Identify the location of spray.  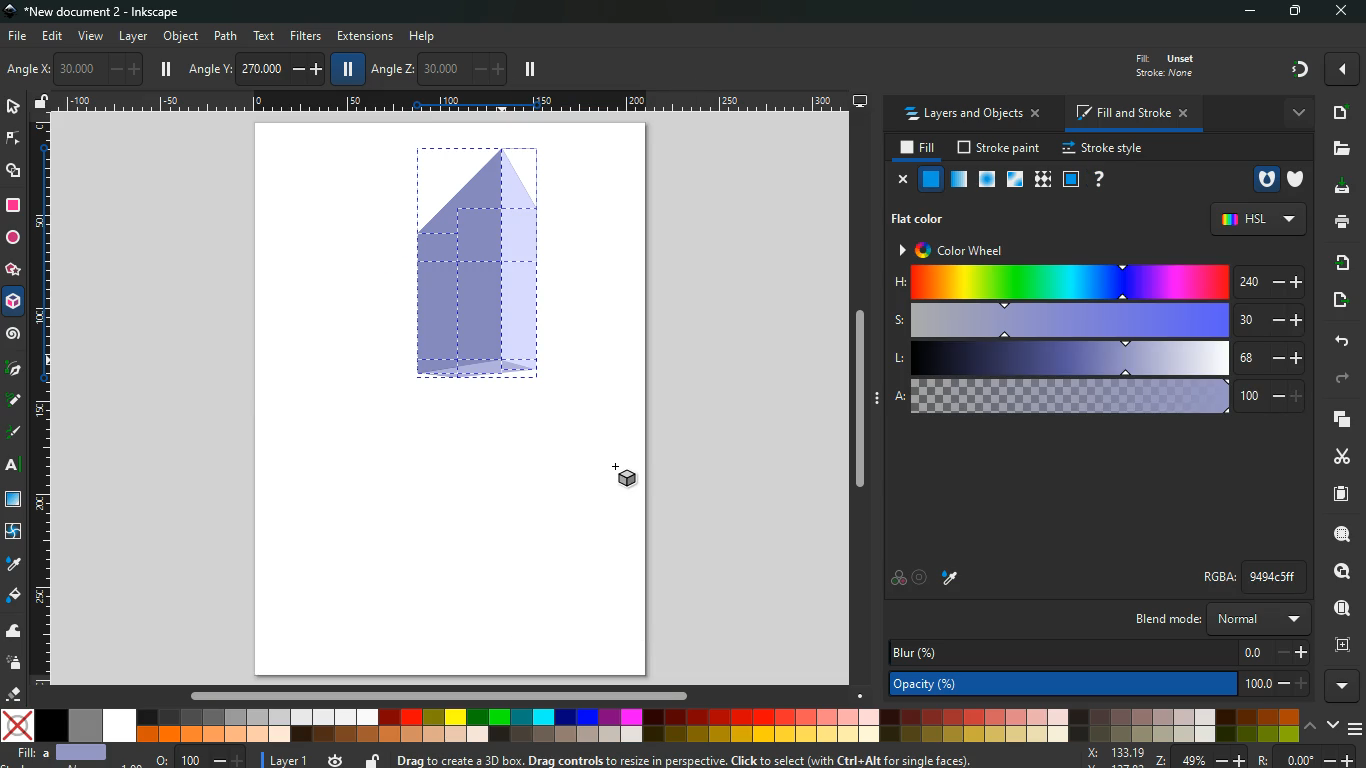
(14, 662).